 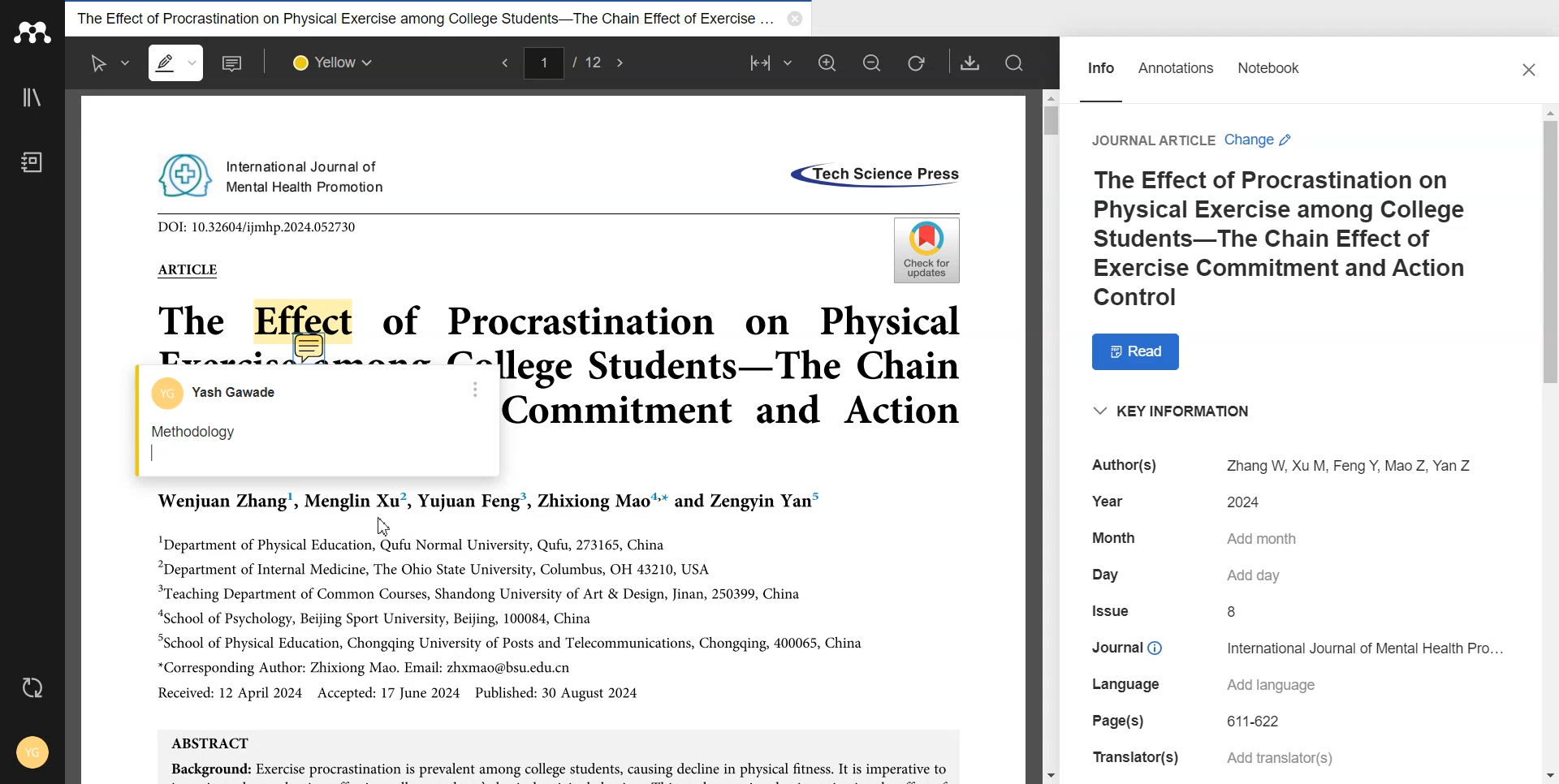 What do you see at coordinates (303, 441) in the screenshot?
I see `Methodology` at bounding box center [303, 441].